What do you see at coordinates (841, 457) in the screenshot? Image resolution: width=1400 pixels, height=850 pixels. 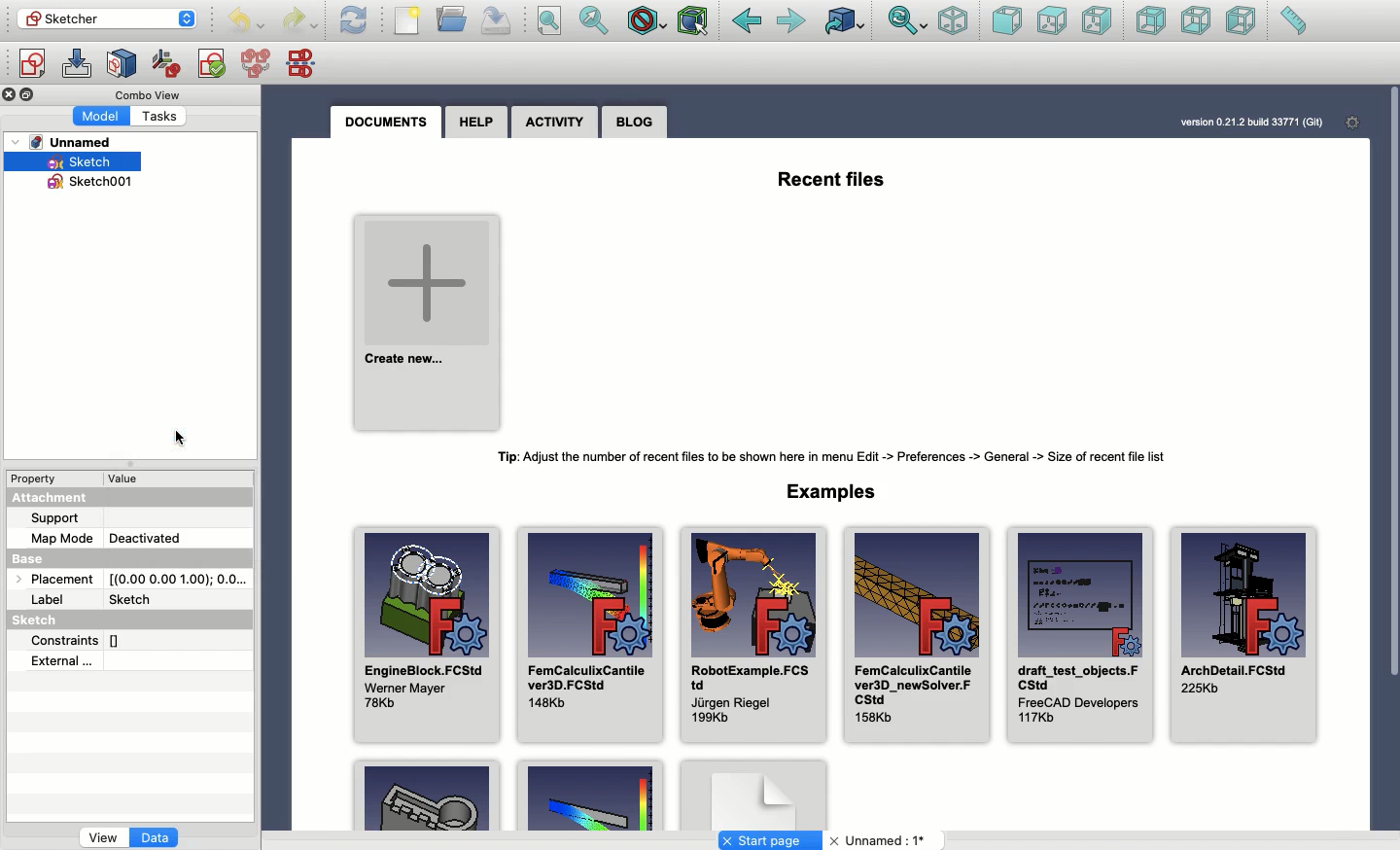 I see `Tip: Adjust the number of recent files to be shown here in menu Edit -> Preferences -> General -> Size of recent file list` at bounding box center [841, 457].